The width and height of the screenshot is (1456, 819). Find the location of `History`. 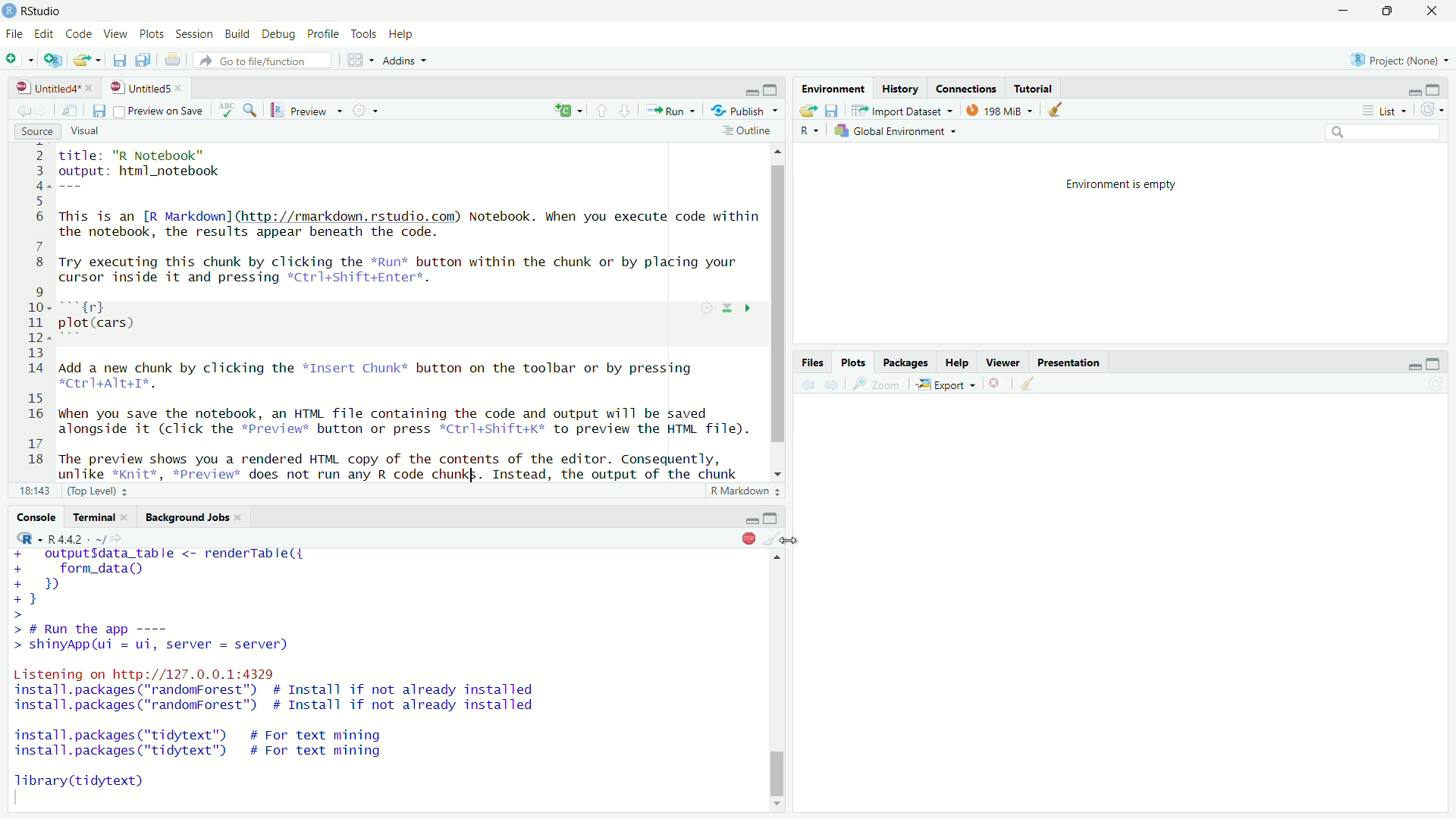

History is located at coordinates (899, 88).